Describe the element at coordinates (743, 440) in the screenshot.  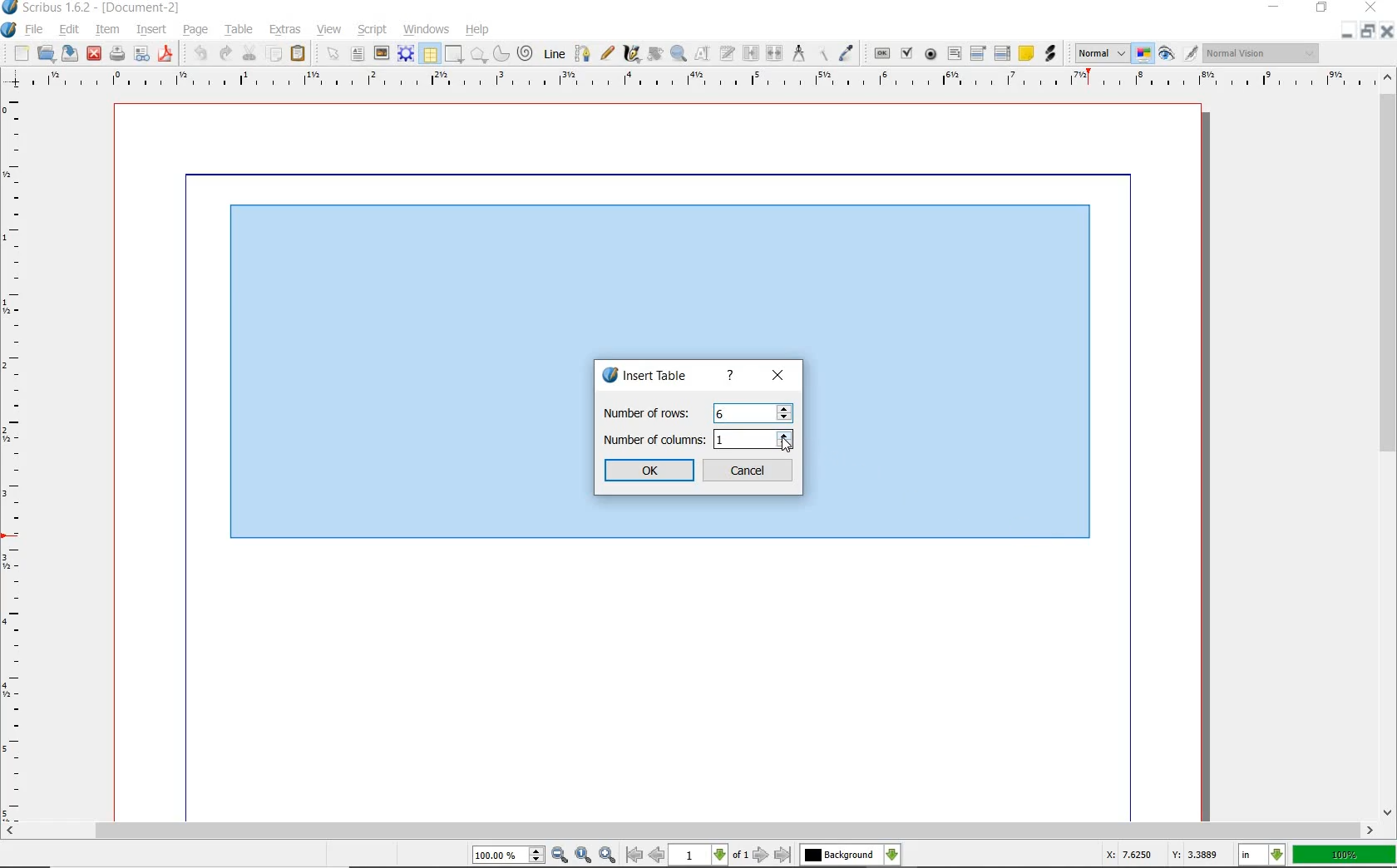
I see `number of columns` at that location.